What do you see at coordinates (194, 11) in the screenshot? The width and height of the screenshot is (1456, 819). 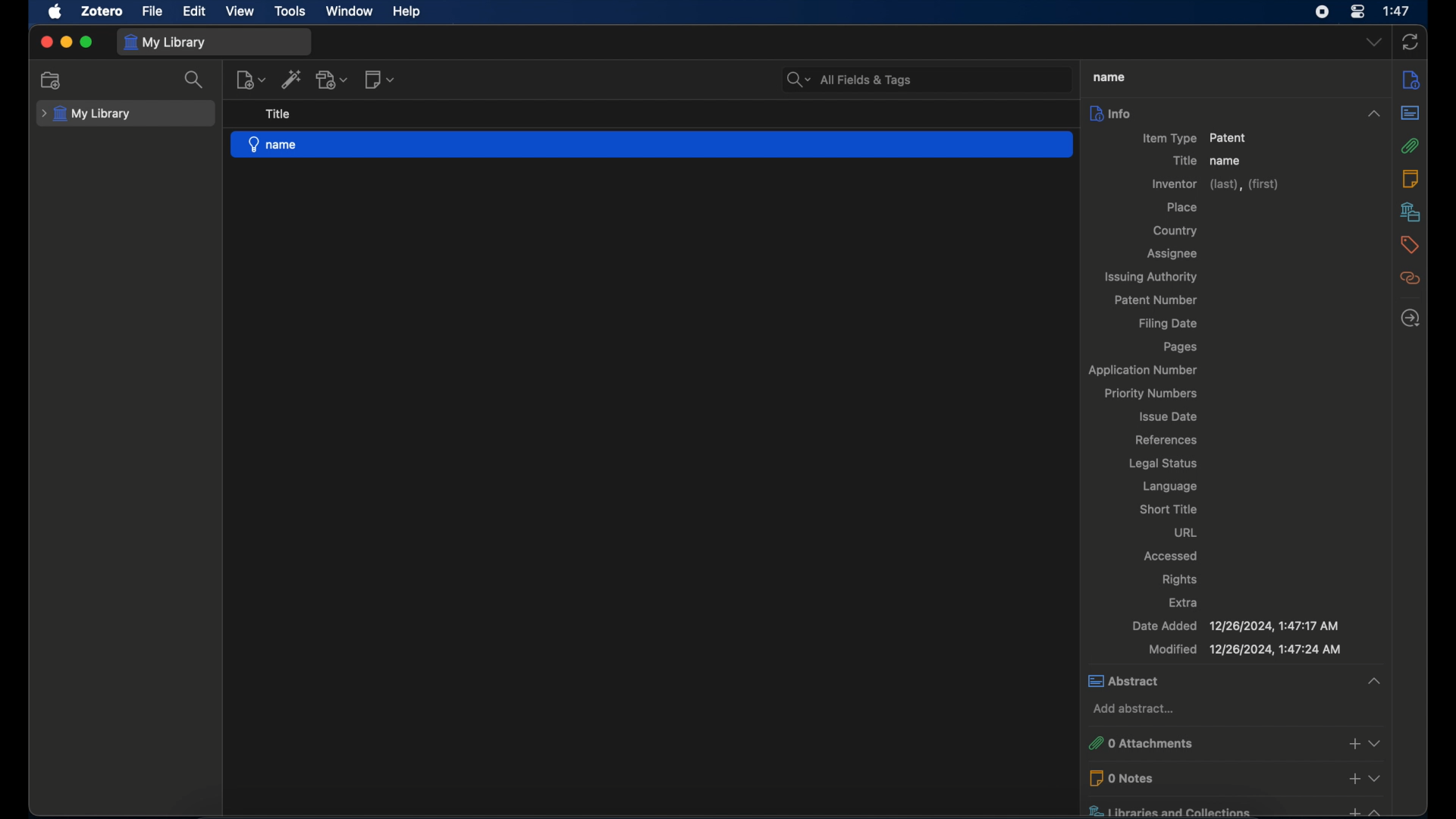 I see `edit` at bounding box center [194, 11].